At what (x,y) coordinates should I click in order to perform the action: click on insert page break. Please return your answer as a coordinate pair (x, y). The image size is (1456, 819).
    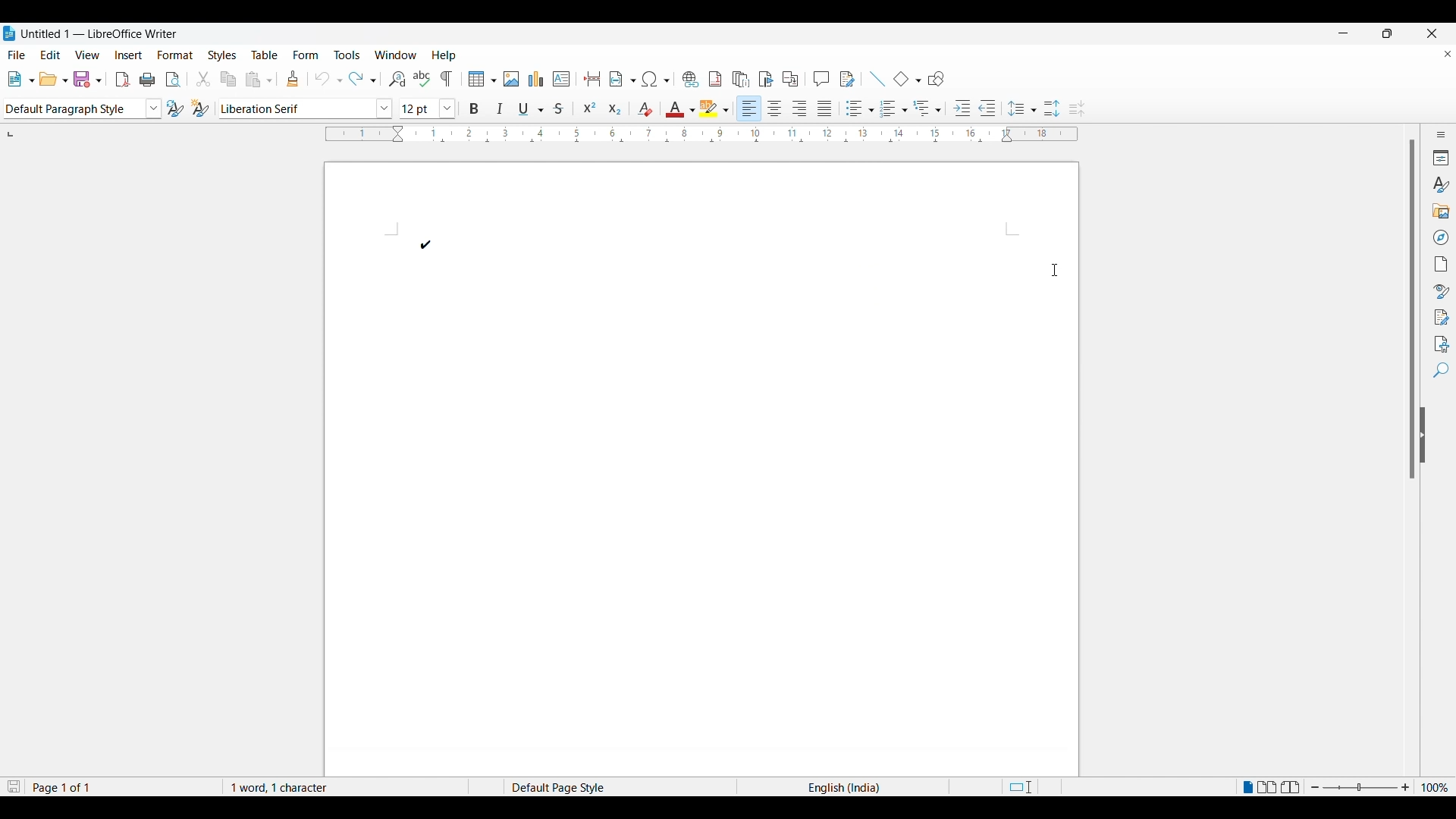
    Looking at the image, I should click on (590, 78).